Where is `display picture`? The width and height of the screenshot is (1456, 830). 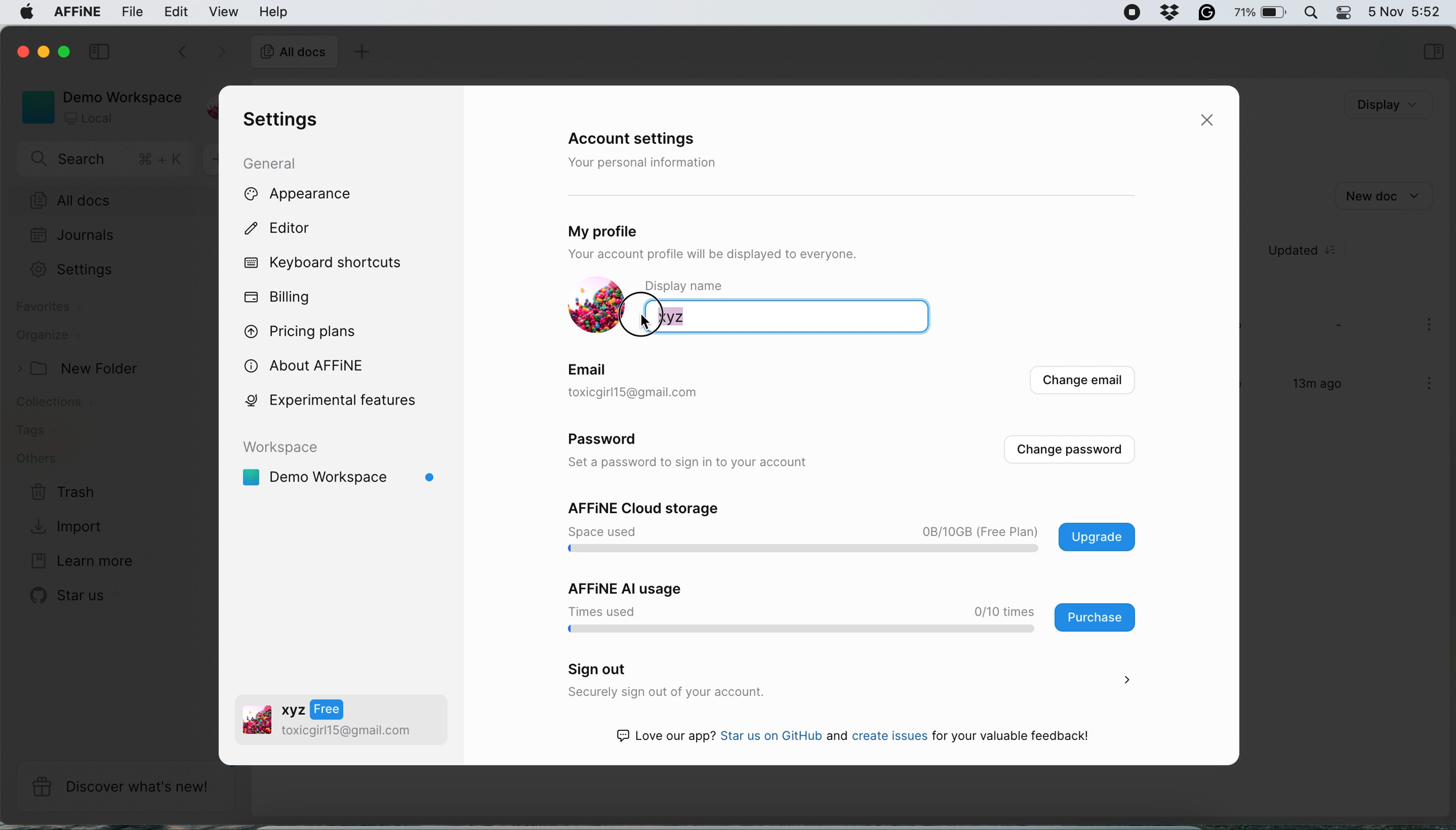 display picture is located at coordinates (591, 306).